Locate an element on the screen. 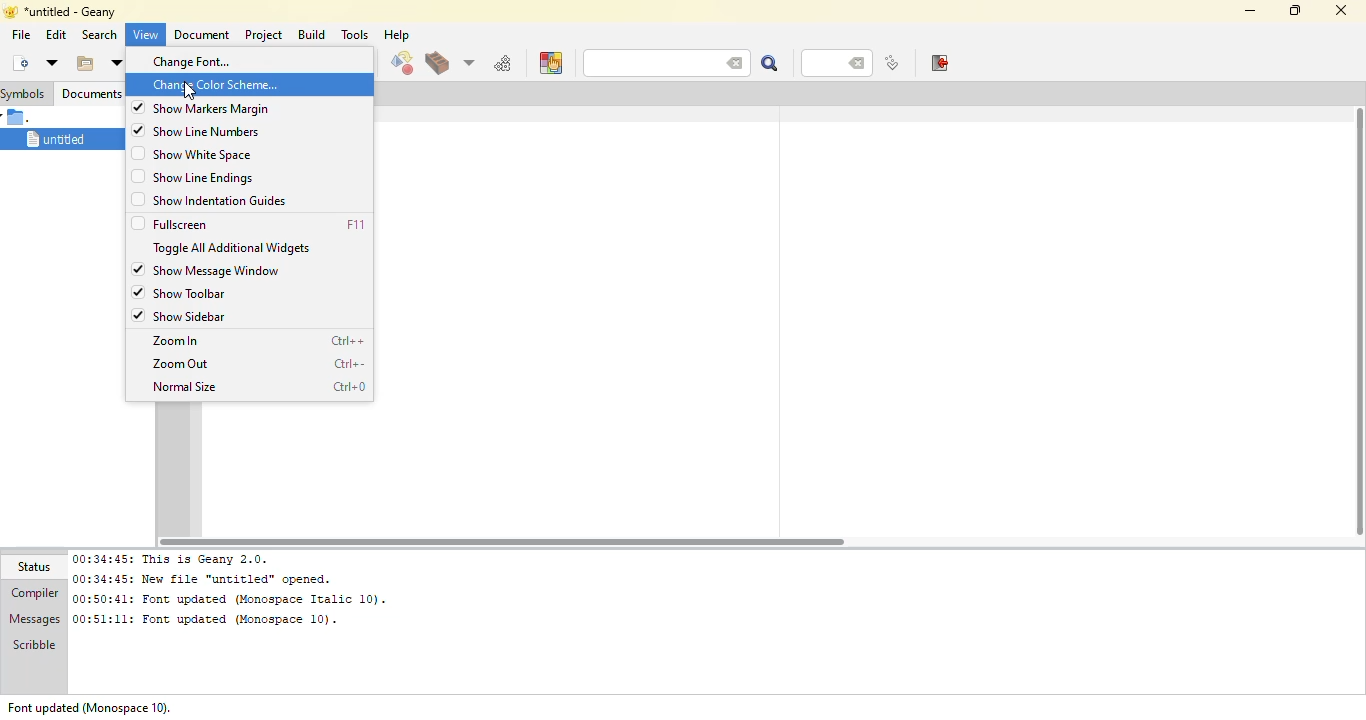  show indentation guides is located at coordinates (224, 201).